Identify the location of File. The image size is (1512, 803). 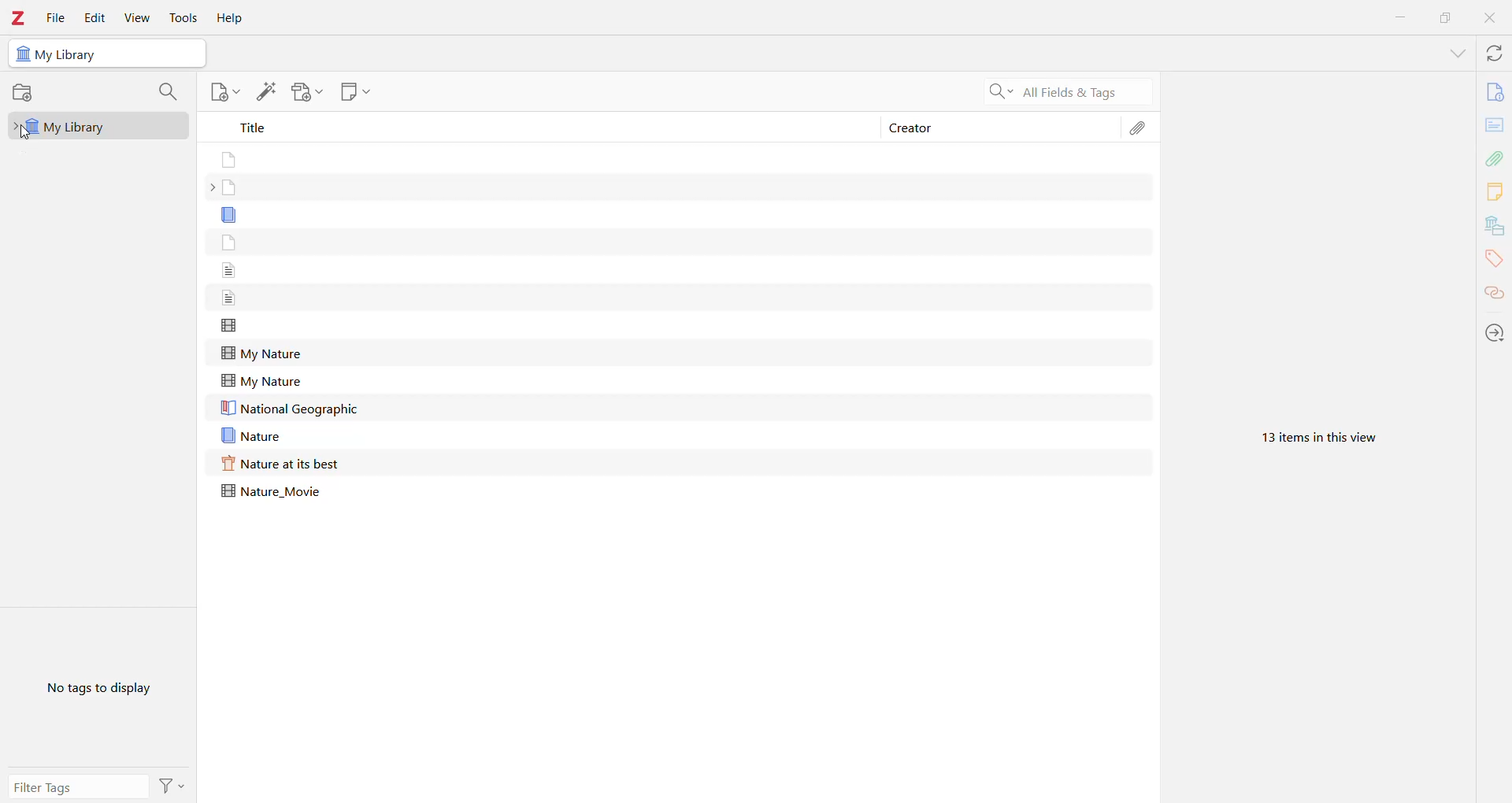
(56, 20).